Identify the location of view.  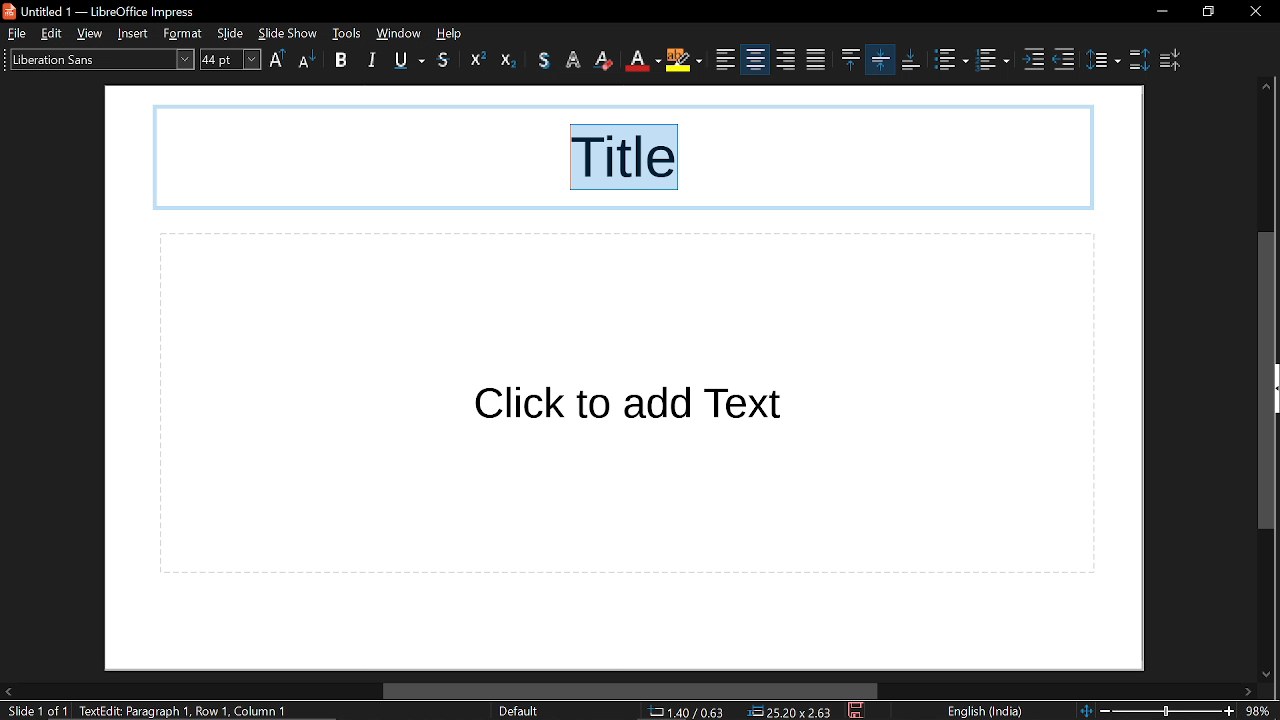
(94, 34).